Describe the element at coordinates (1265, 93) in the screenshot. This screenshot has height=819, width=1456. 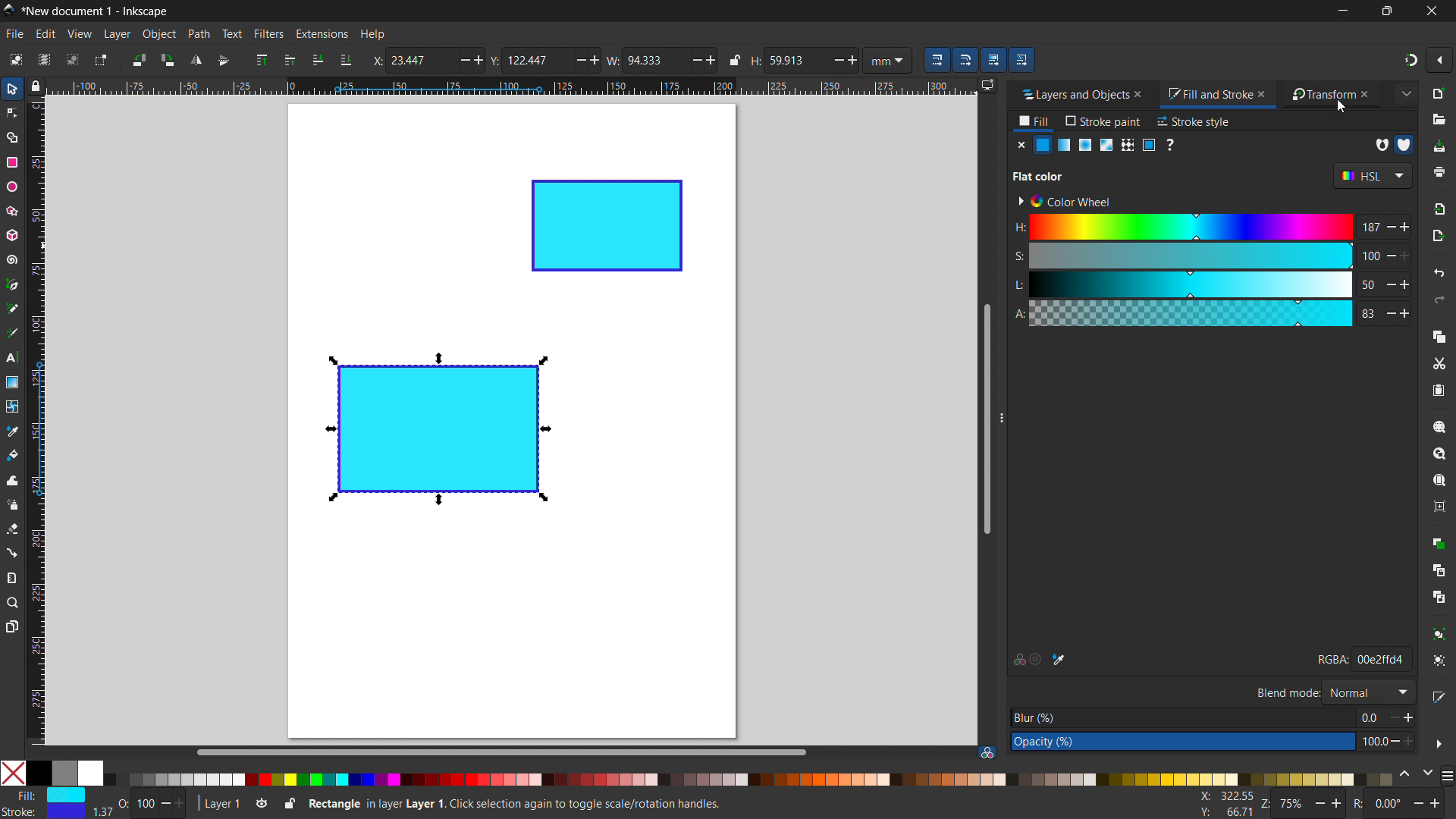
I see `close` at that location.